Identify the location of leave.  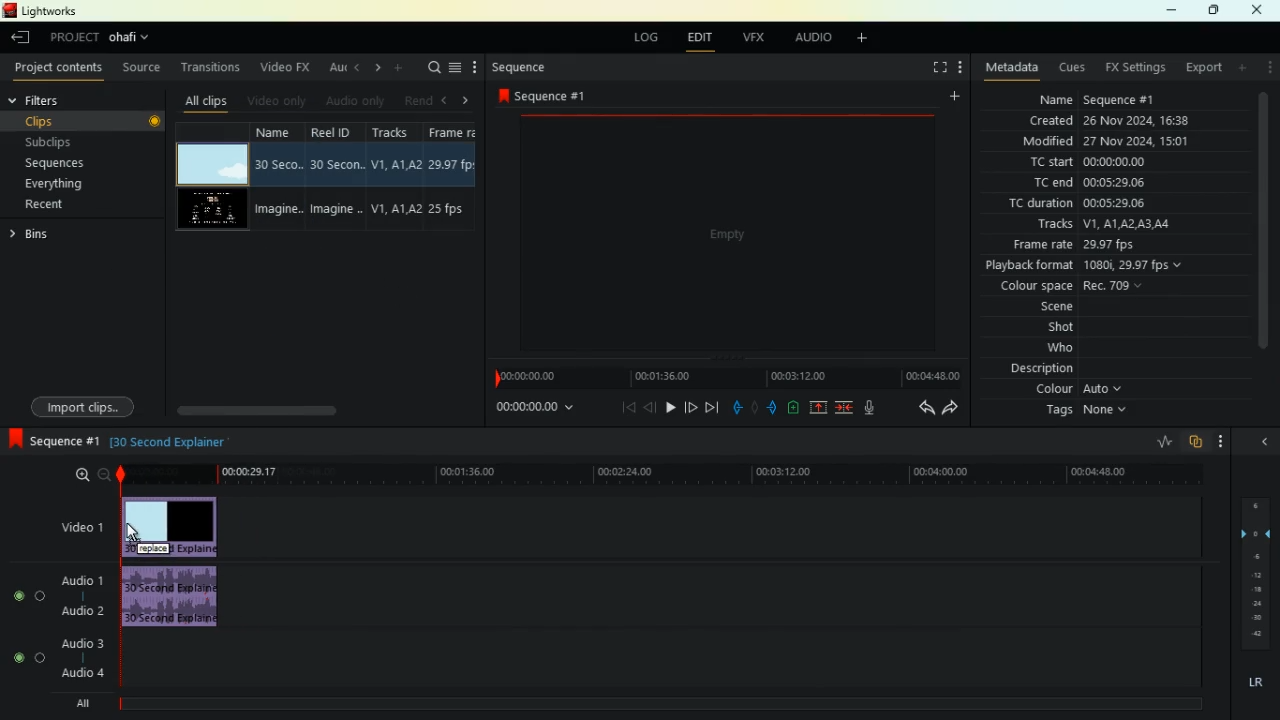
(21, 39).